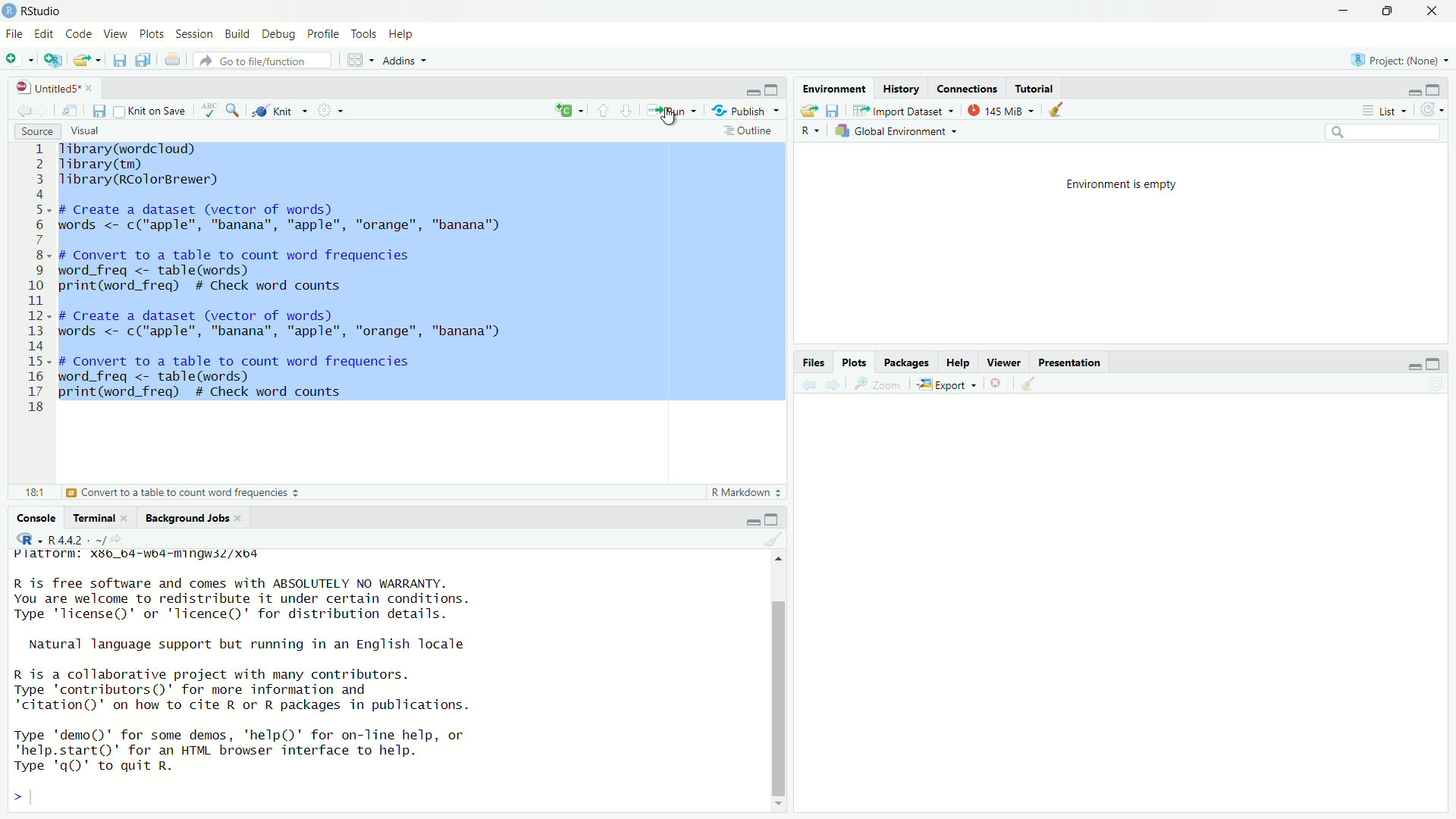 This screenshot has height=819, width=1456. What do you see at coordinates (819, 363) in the screenshot?
I see `Files` at bounding box center [819, 363].